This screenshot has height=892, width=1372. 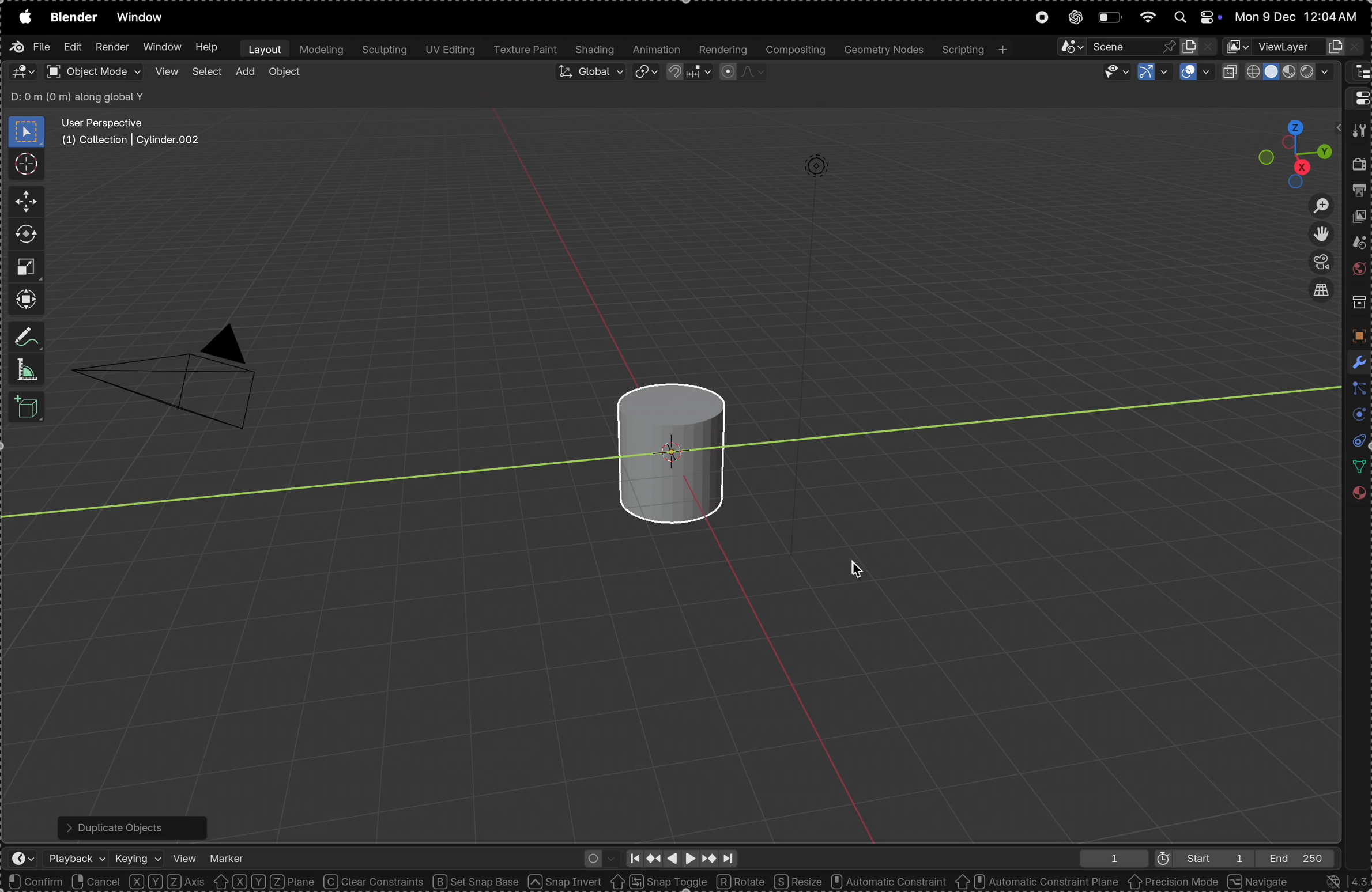 What do you see at coordinates (680, 856) in the screenshot?
I see `playback controls` at bounding box center [680, 856].